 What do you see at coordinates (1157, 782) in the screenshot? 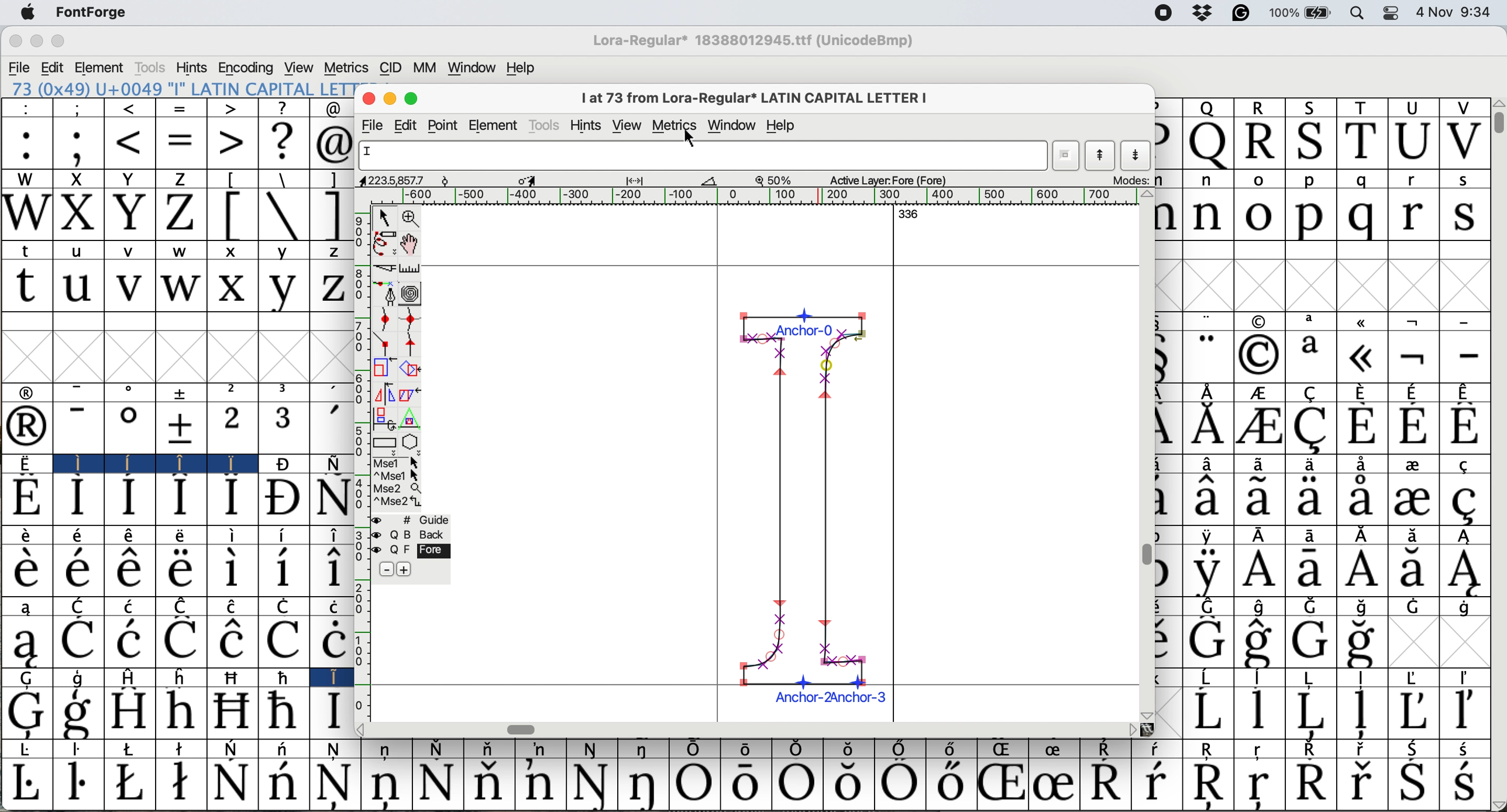
I see `Symbol` at bounding box center [1157, 782].